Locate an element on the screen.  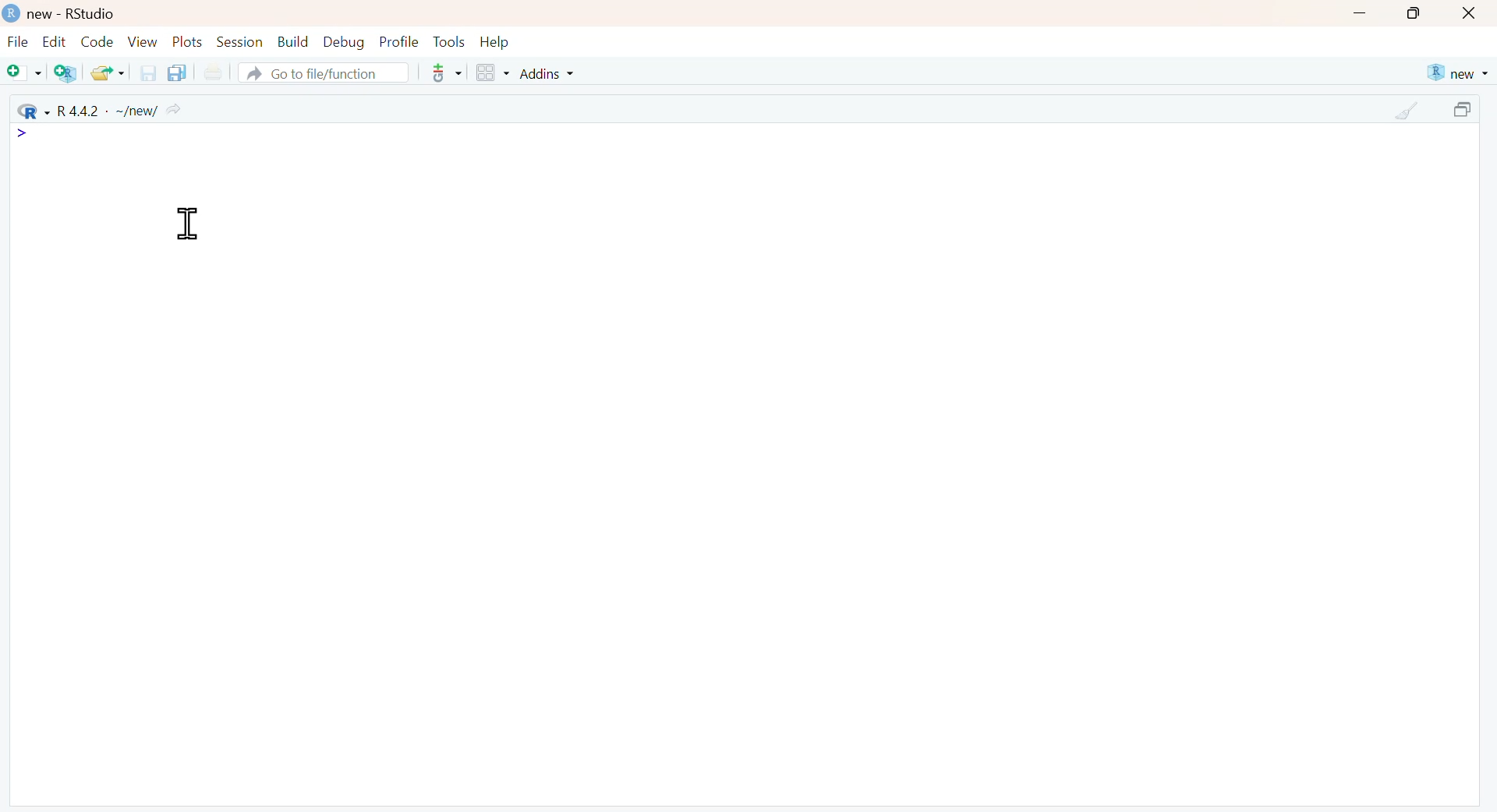
Cursor is located at coordinates (189, 224).